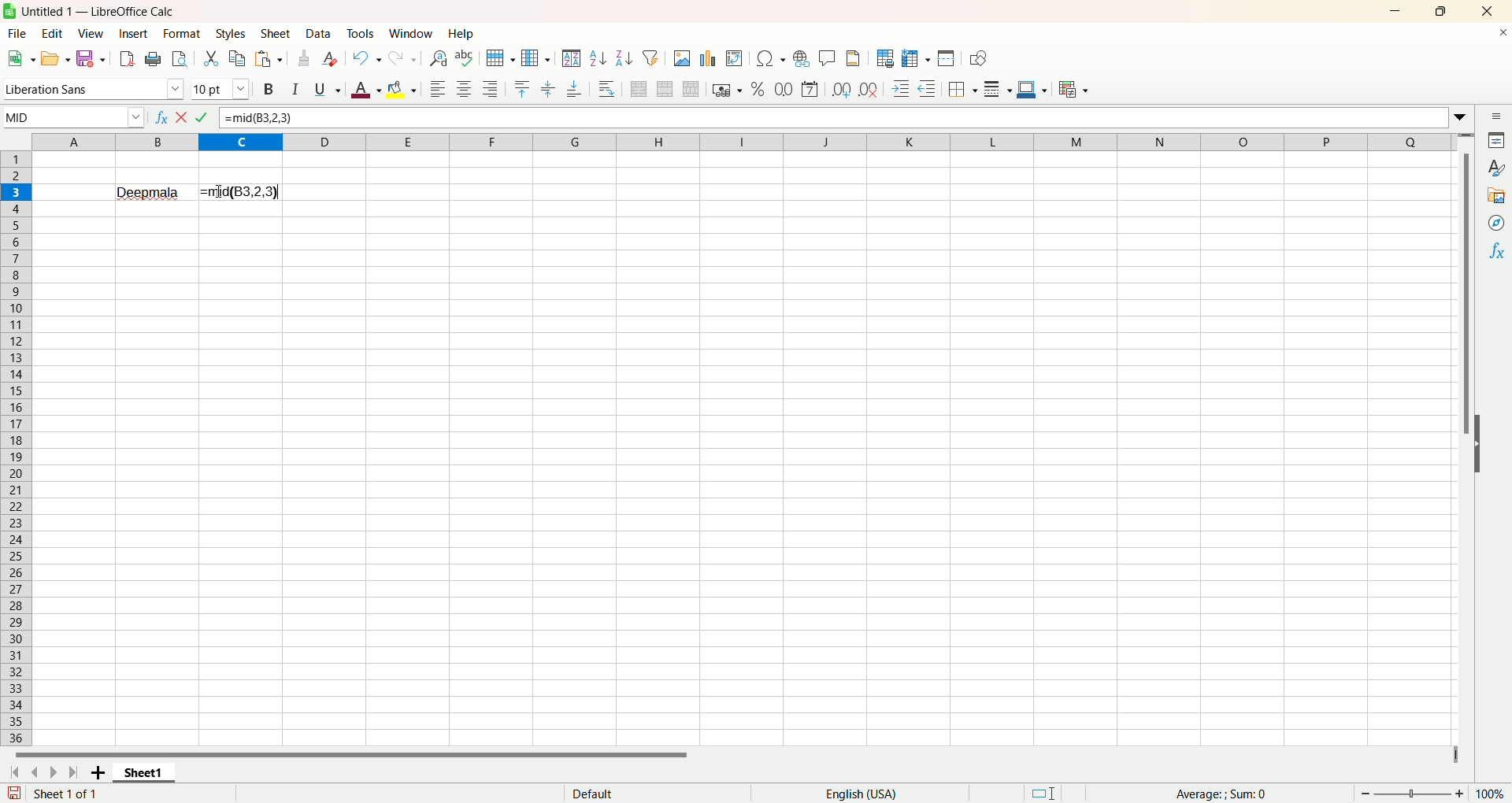  What do you see at coordinates (57, 57) in the screenshot?
I see `Open` at bounding box center [57, 57].